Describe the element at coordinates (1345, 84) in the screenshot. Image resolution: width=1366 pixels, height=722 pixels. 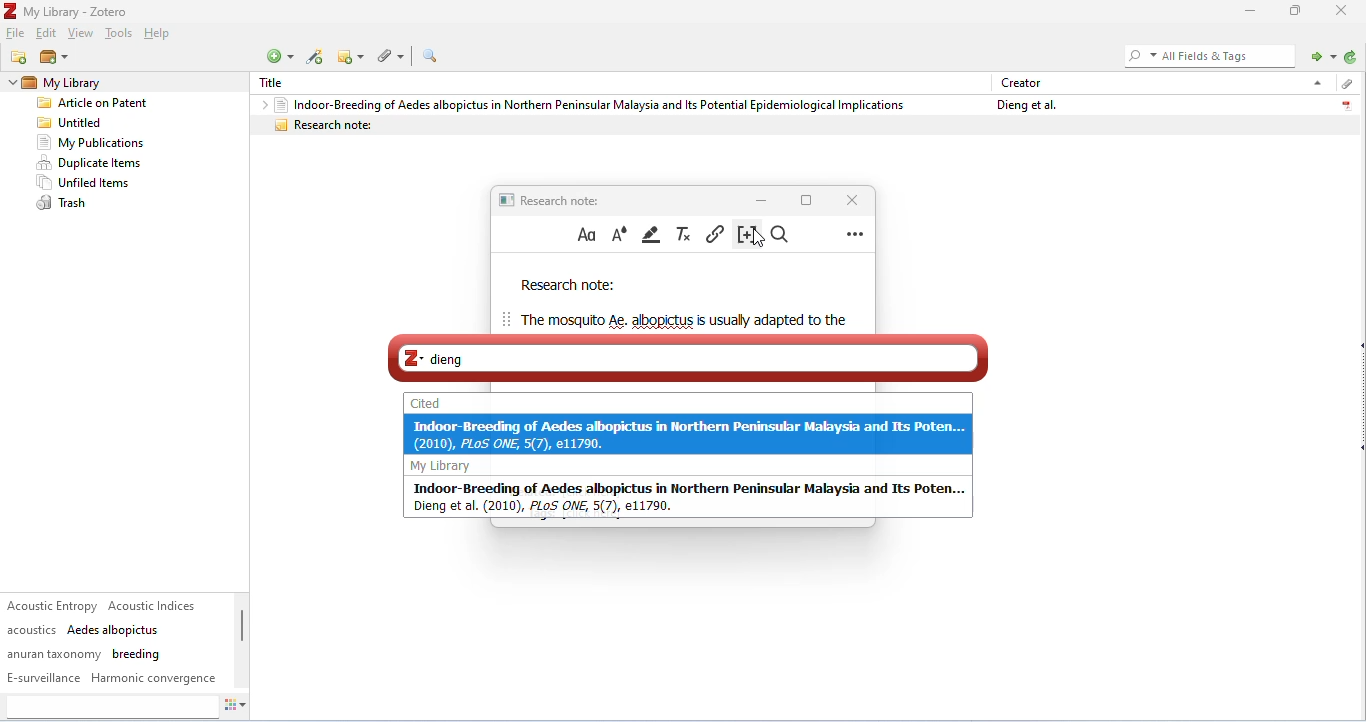
I see `attachment` at that location.